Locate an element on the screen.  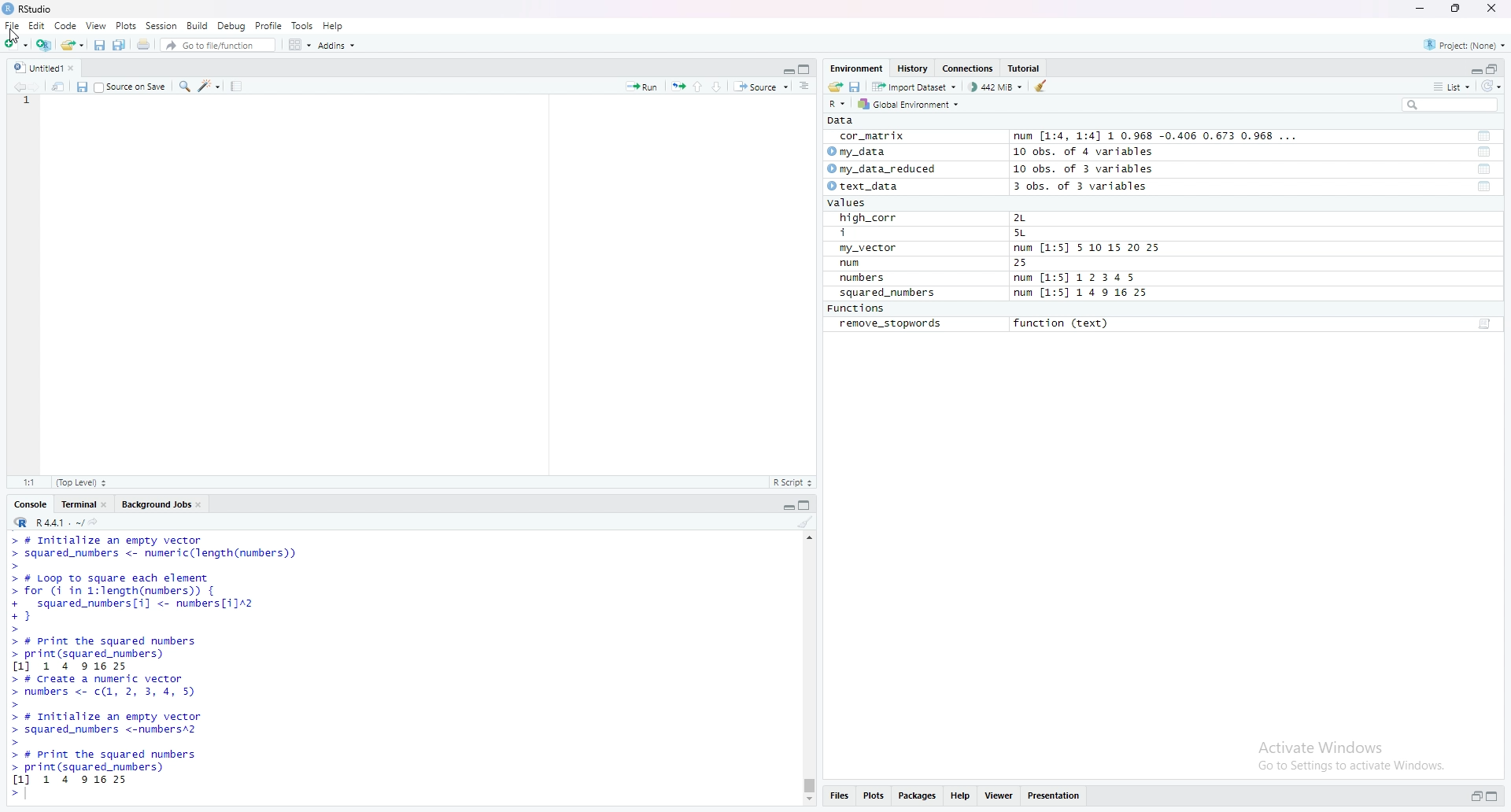
maximize is located at coordinates (1494, 795).